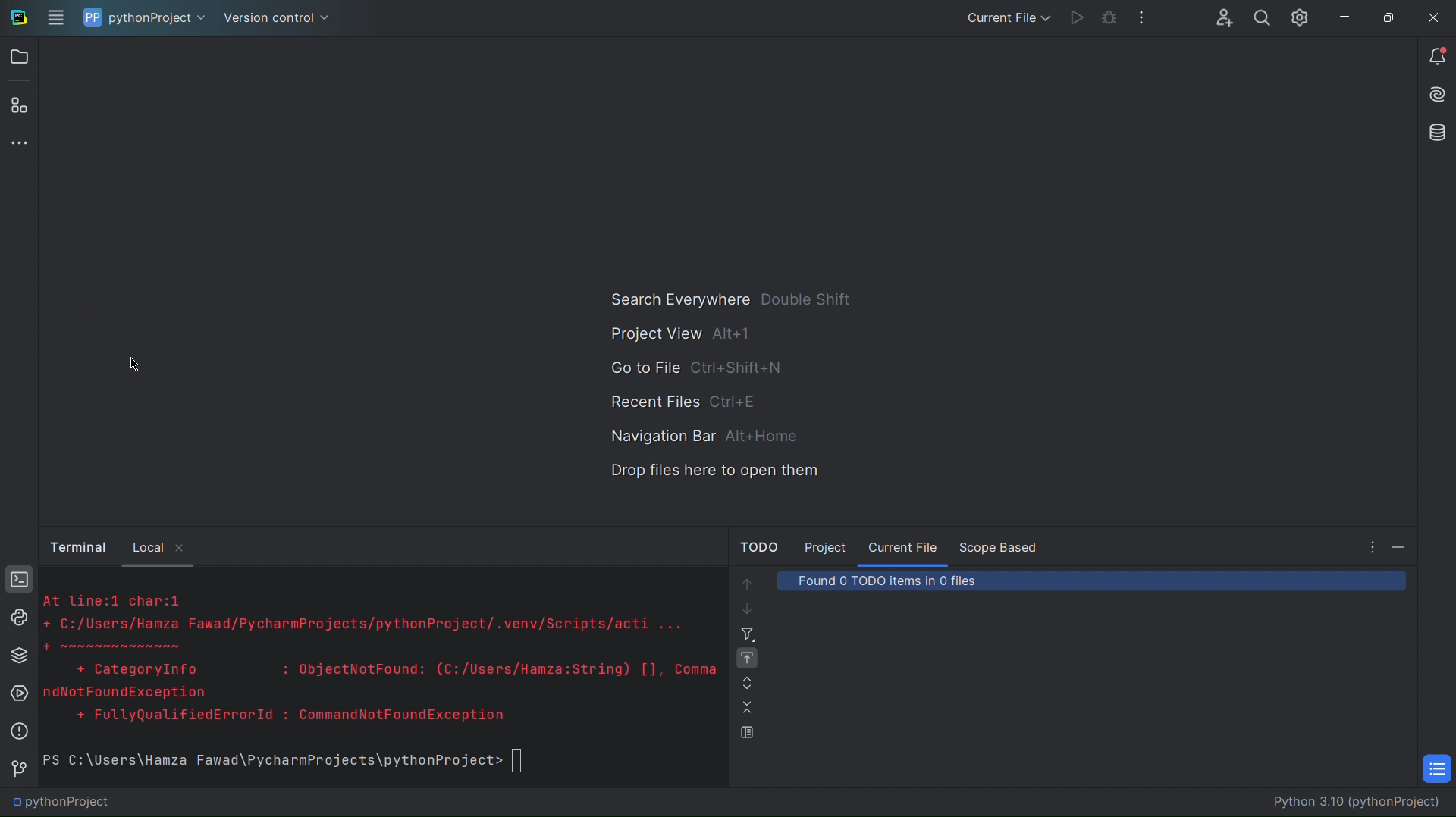 This screenshot has width=1456, height=817. Describe the element at coordinates (381, 681) in the screenshot. I see `At line:1 char:1 C:/Users/Hanza Fawad/PycharnProjects/python Project/.venv/Scripts/acti... + CategoryInfo NotFoundException : ObjectNotFound: (C:/Users/Hanza:String) [], Conna + FullyQualifiedErrorId: CommandNotFoundException PSC:\Users\Hamza Fawad\PycharmProjects\python Project>` at that location.